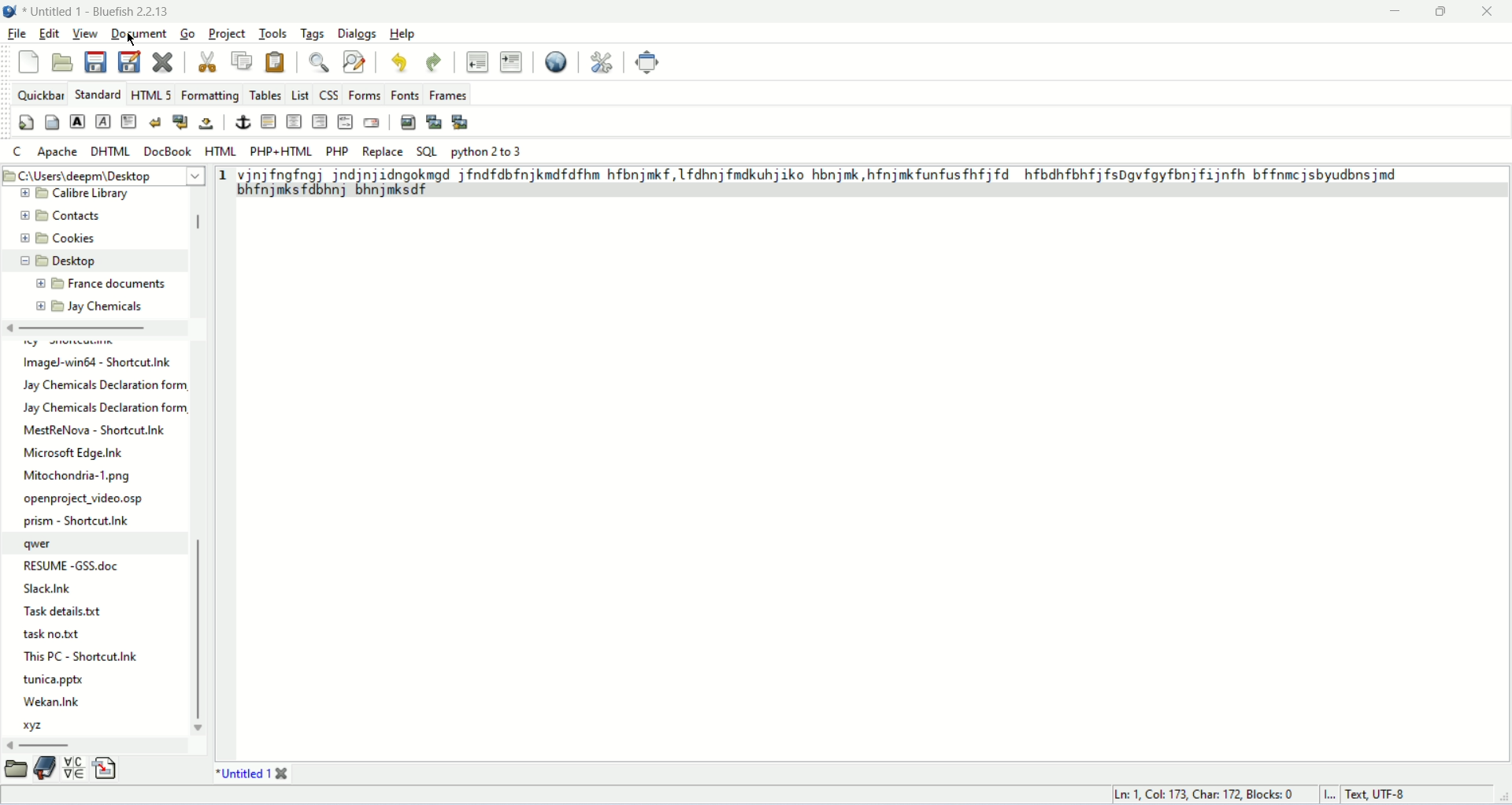 This screenshot has height=805, width=1512. I want to click on HTML, so click(346, 123).